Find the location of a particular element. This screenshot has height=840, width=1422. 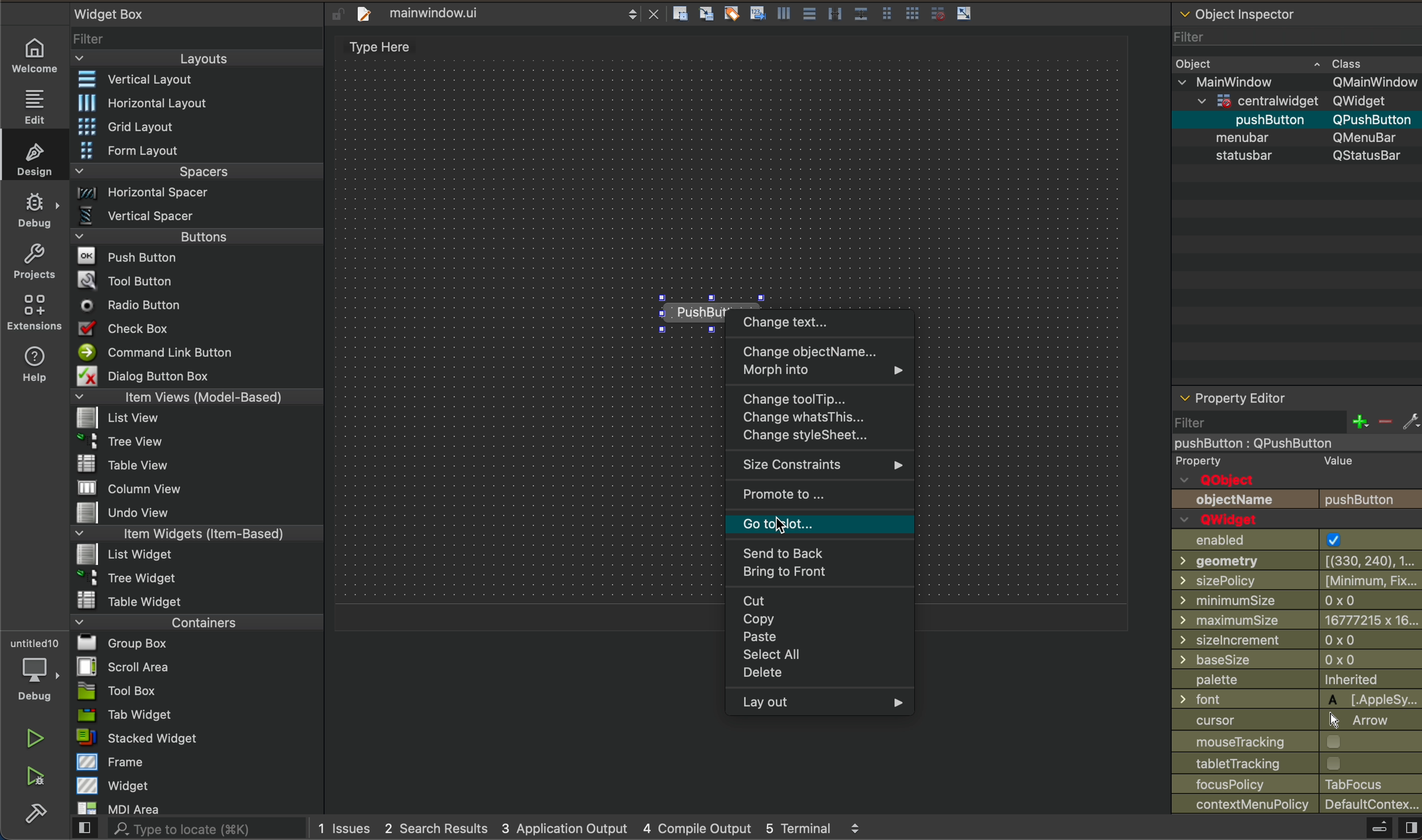

size is located at coordinates (1297, 640).